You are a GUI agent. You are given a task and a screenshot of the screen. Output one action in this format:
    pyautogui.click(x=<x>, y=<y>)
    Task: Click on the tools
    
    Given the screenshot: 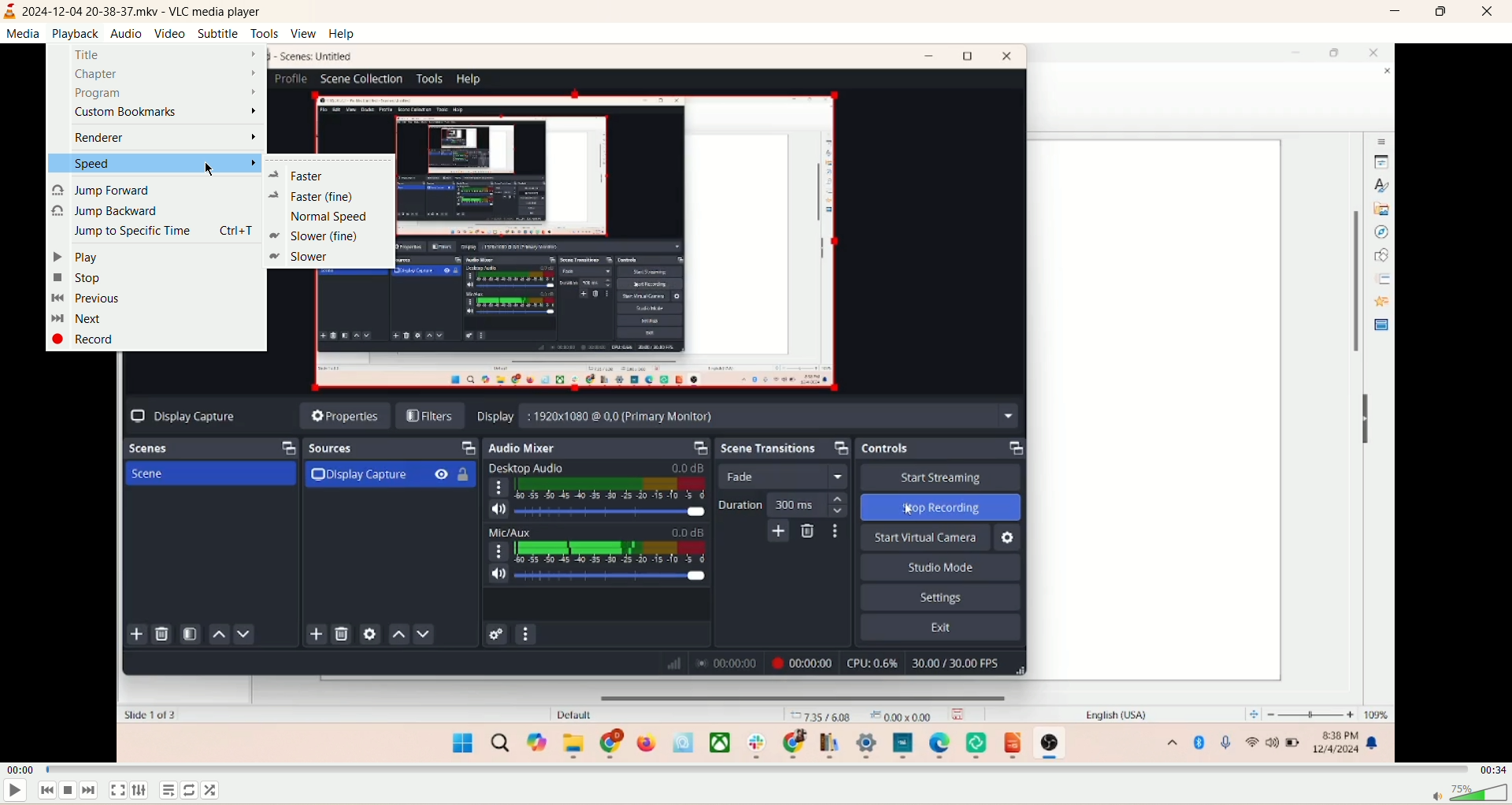 What is the action you would take?
    pyautogui.click(x=265, y=34)
    